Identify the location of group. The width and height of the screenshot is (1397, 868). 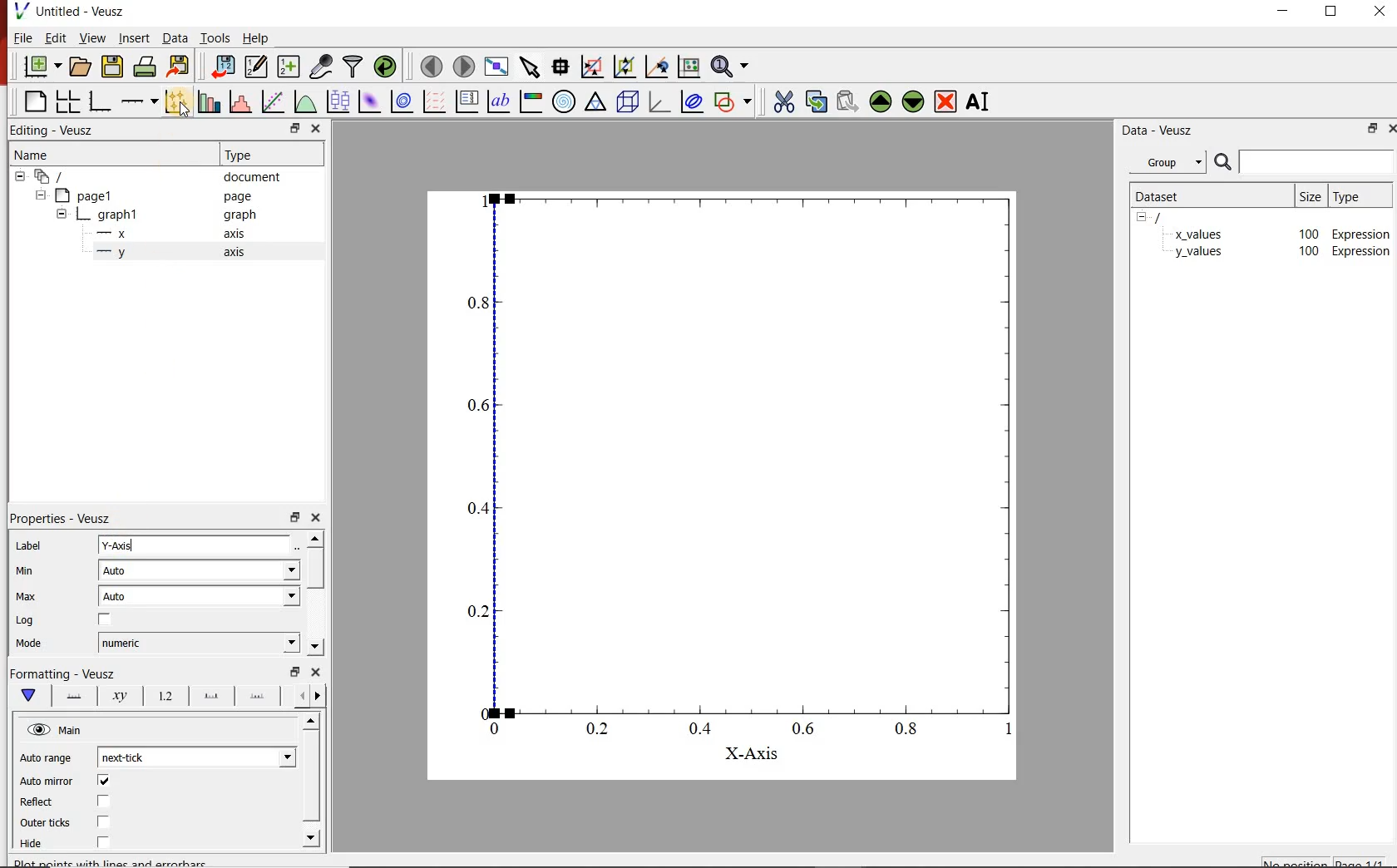
(1165, 162).